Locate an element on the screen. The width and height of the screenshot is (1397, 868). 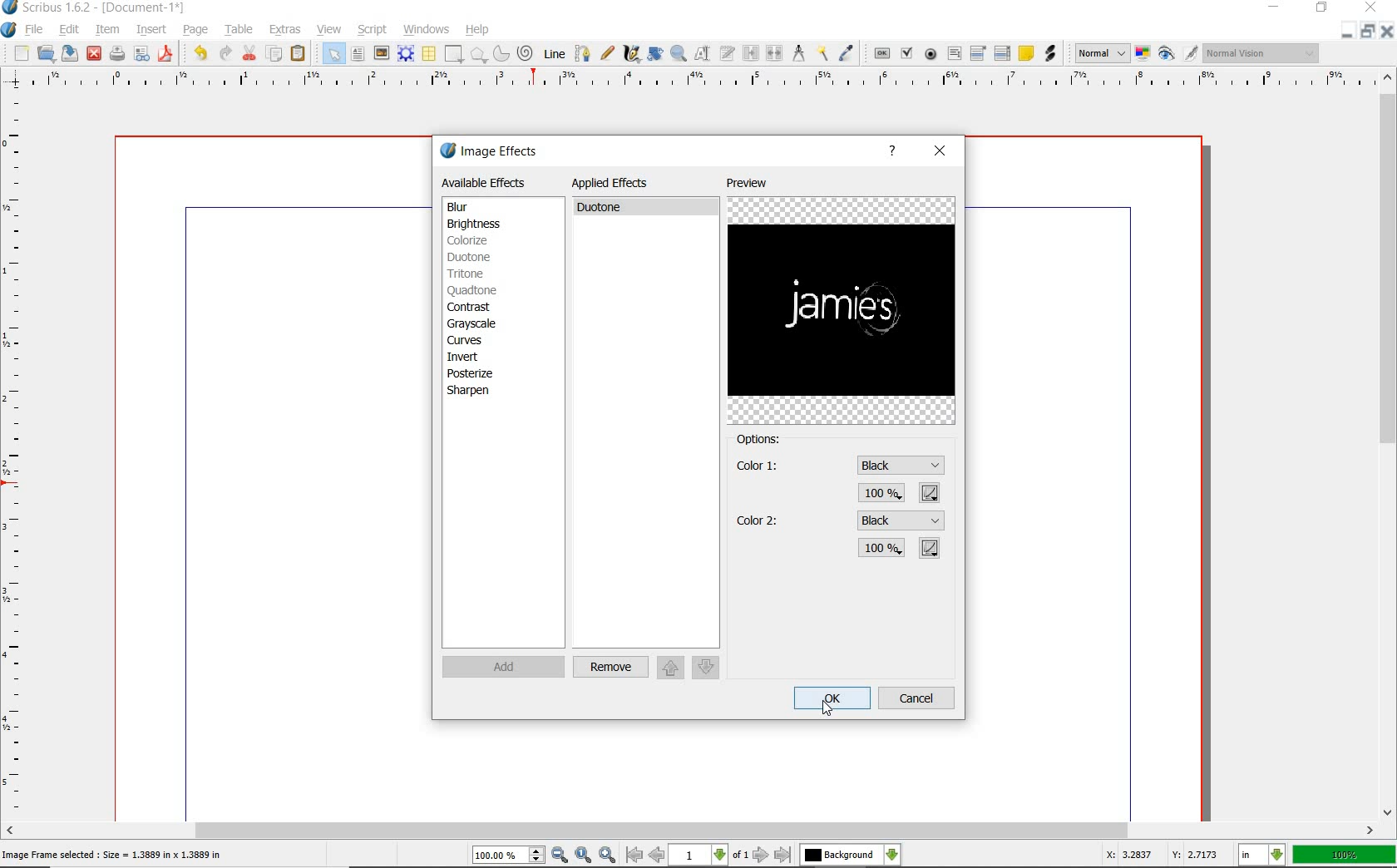
coordinates is located at coordinates (1160, 857).